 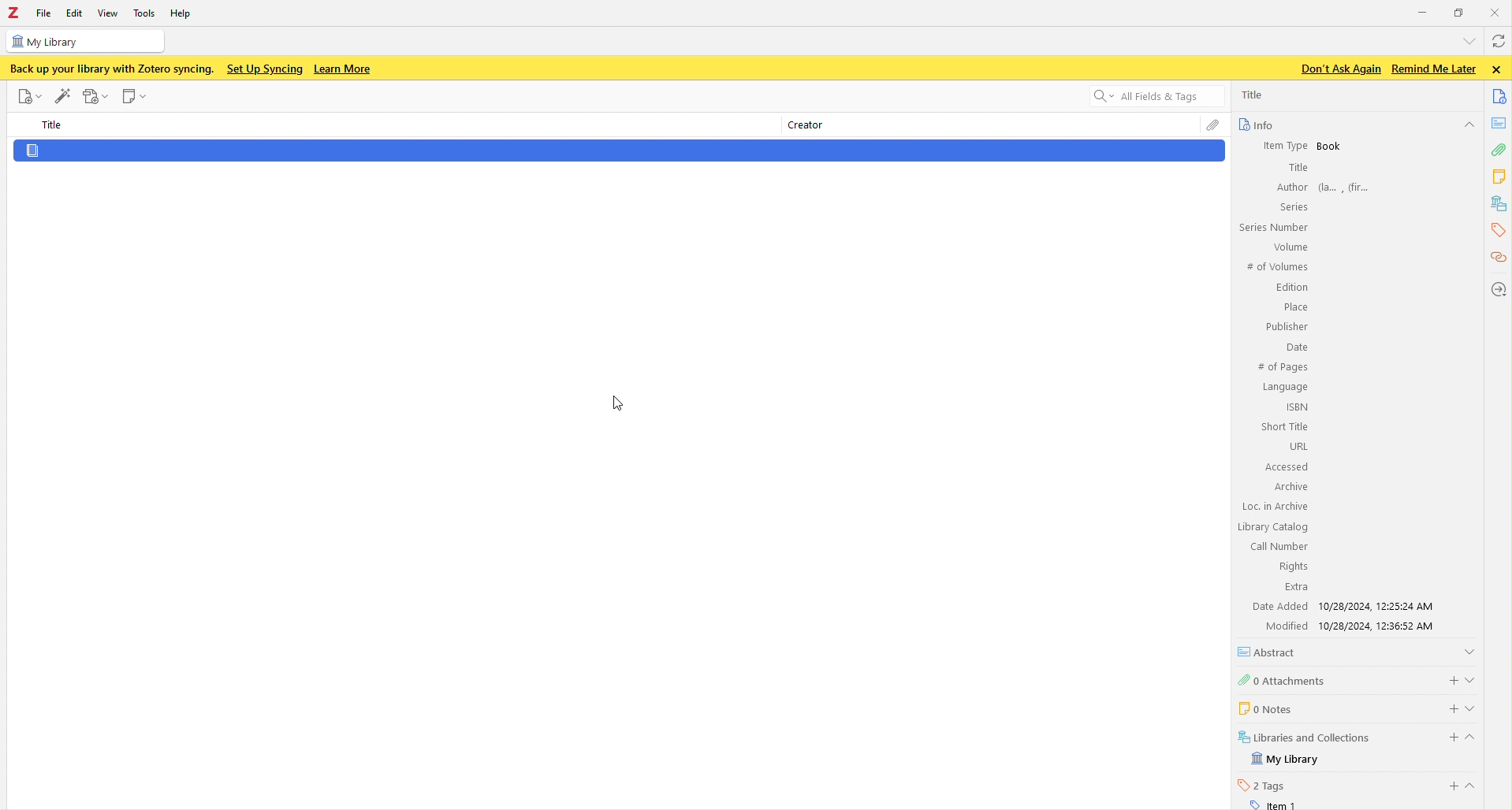 I want to click on Zotero, so click(x=13, y=13).